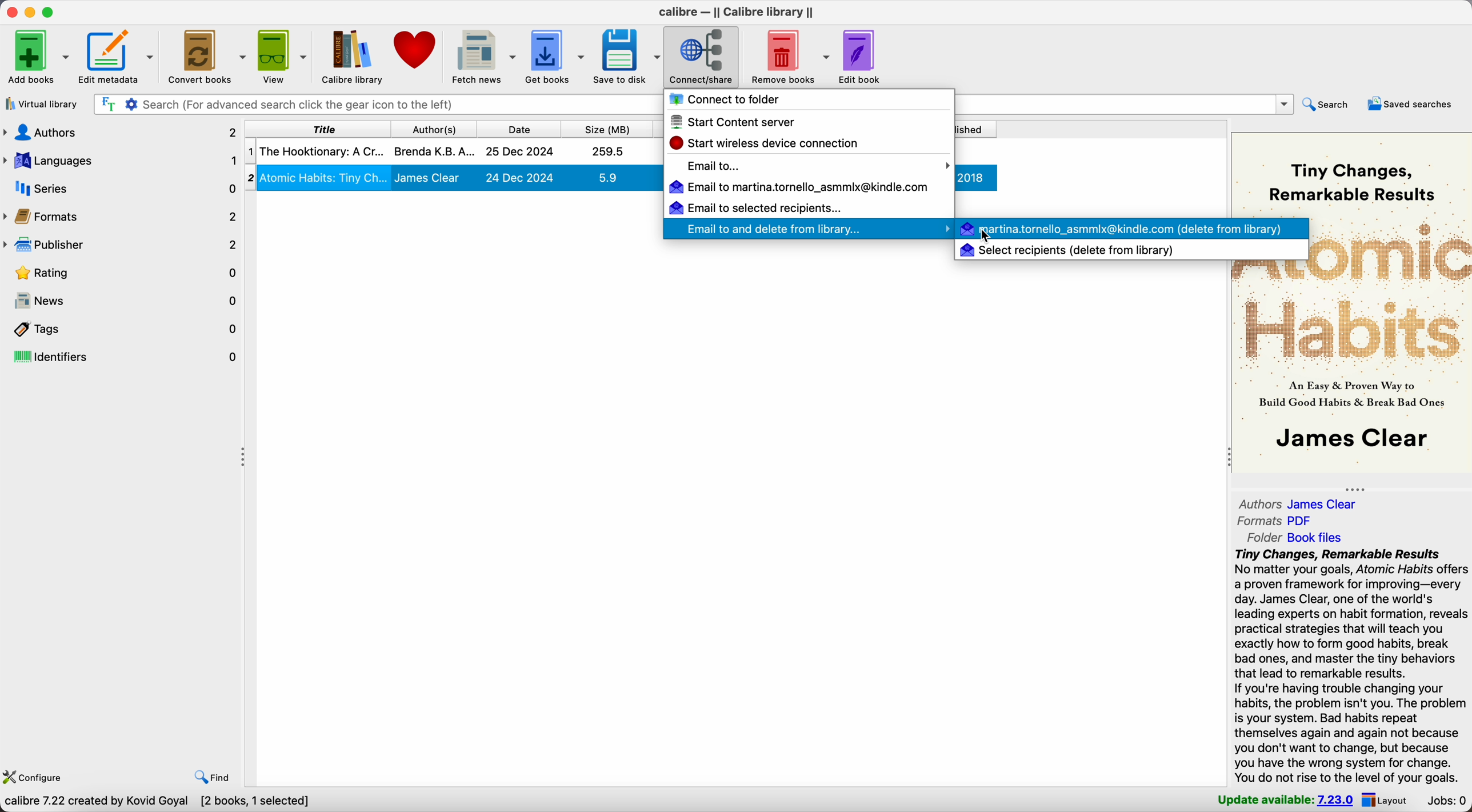 This screenshot has height=812, width=1472. What do you see at coordinates (434, 150) in the screenshot?
I see `Brenda K.B.A.` at bounding box center [434, 150].